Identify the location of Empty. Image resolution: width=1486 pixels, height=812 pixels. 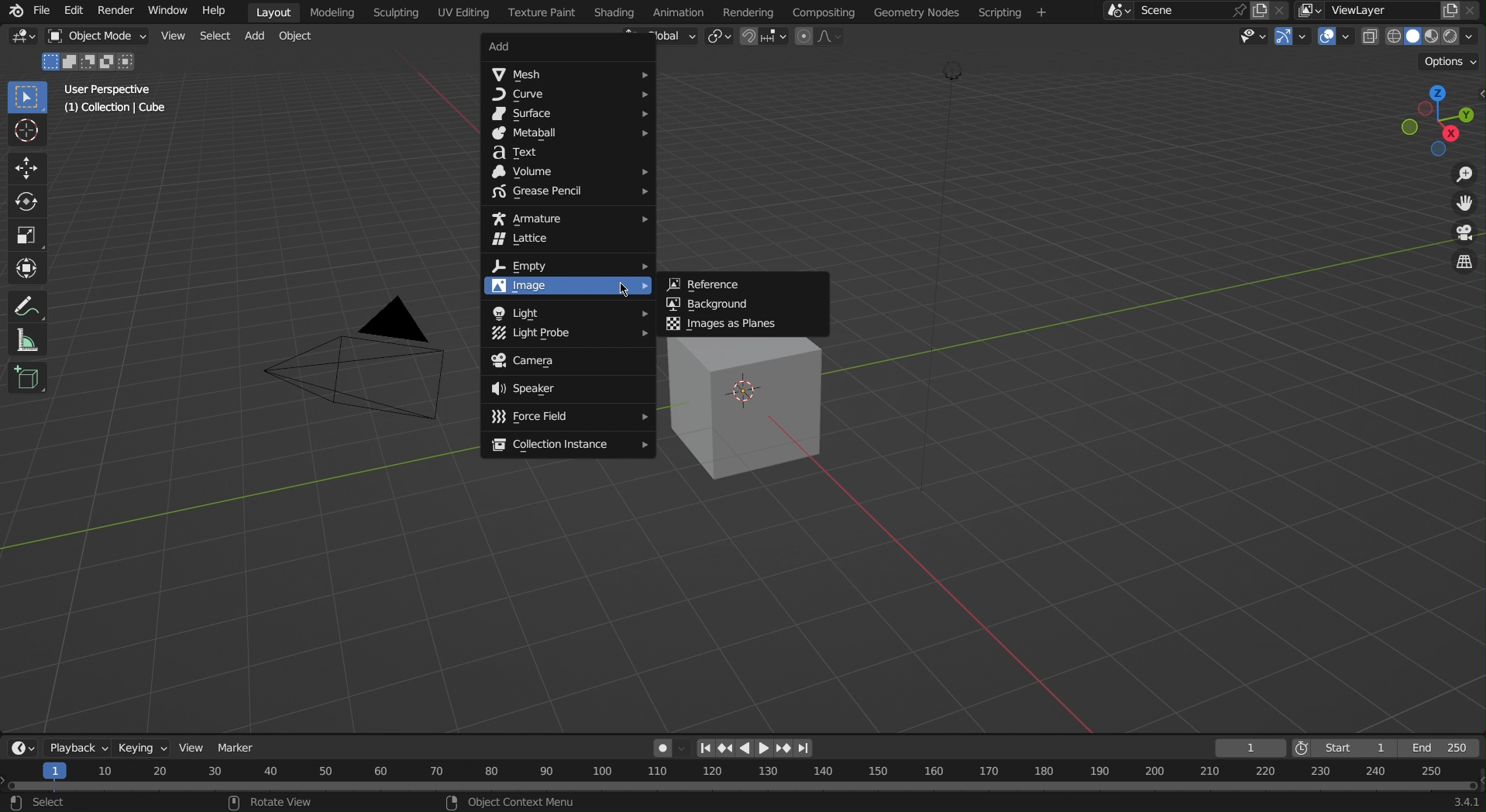
(568, 264).